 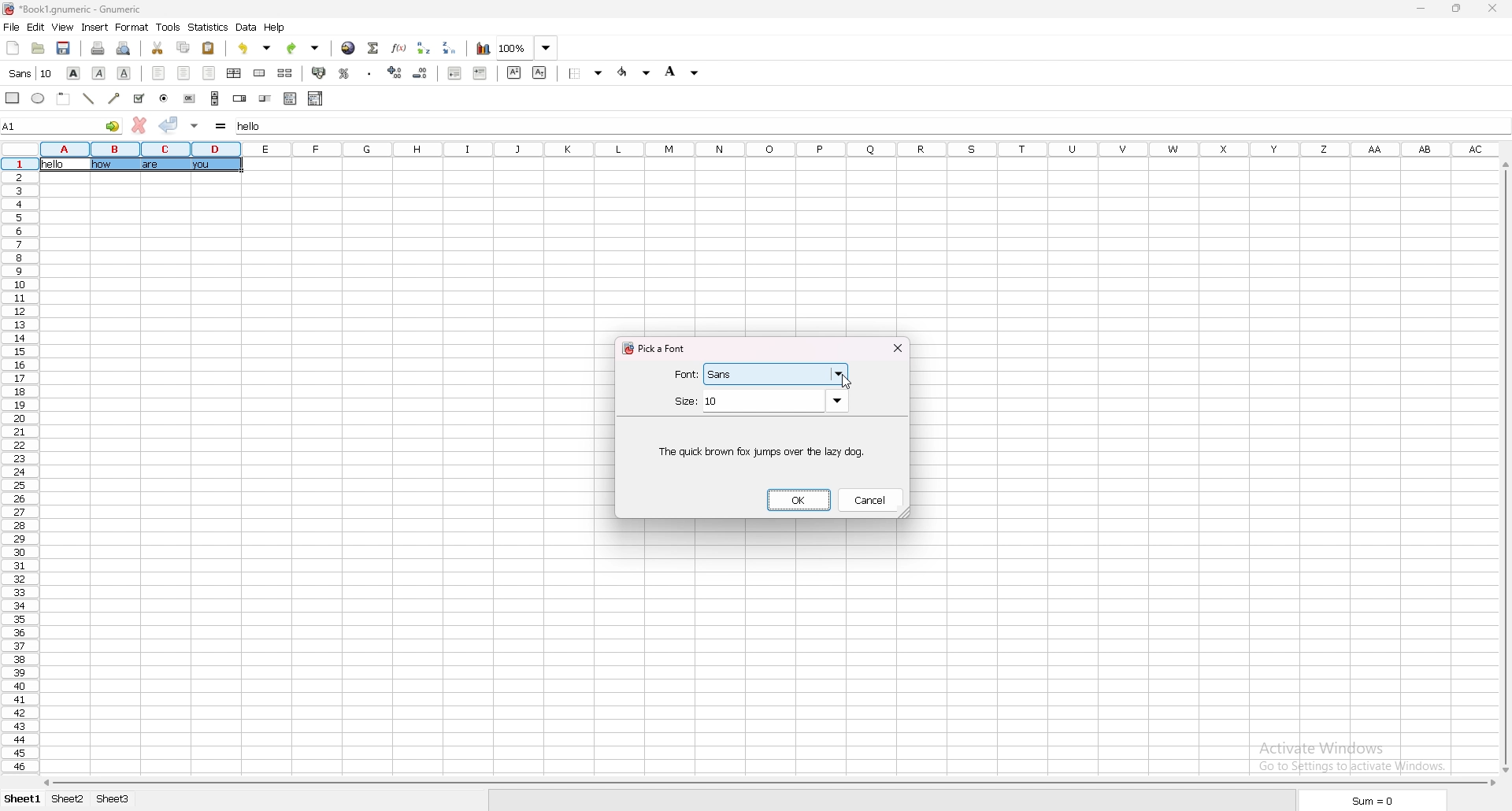 I want to click on format, so click(x=132, y=28).